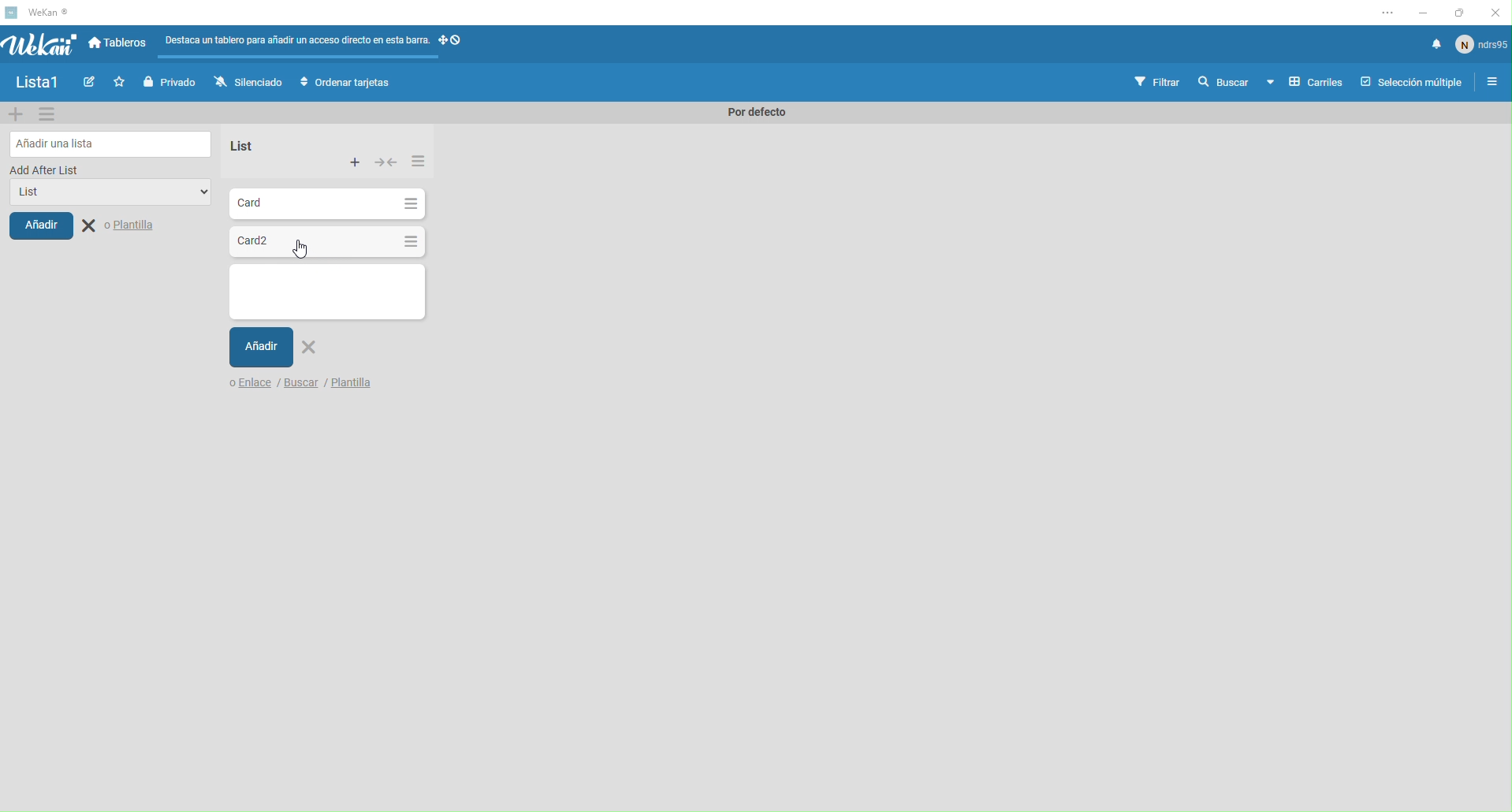  I want to click on add after list, so click(93, 170).